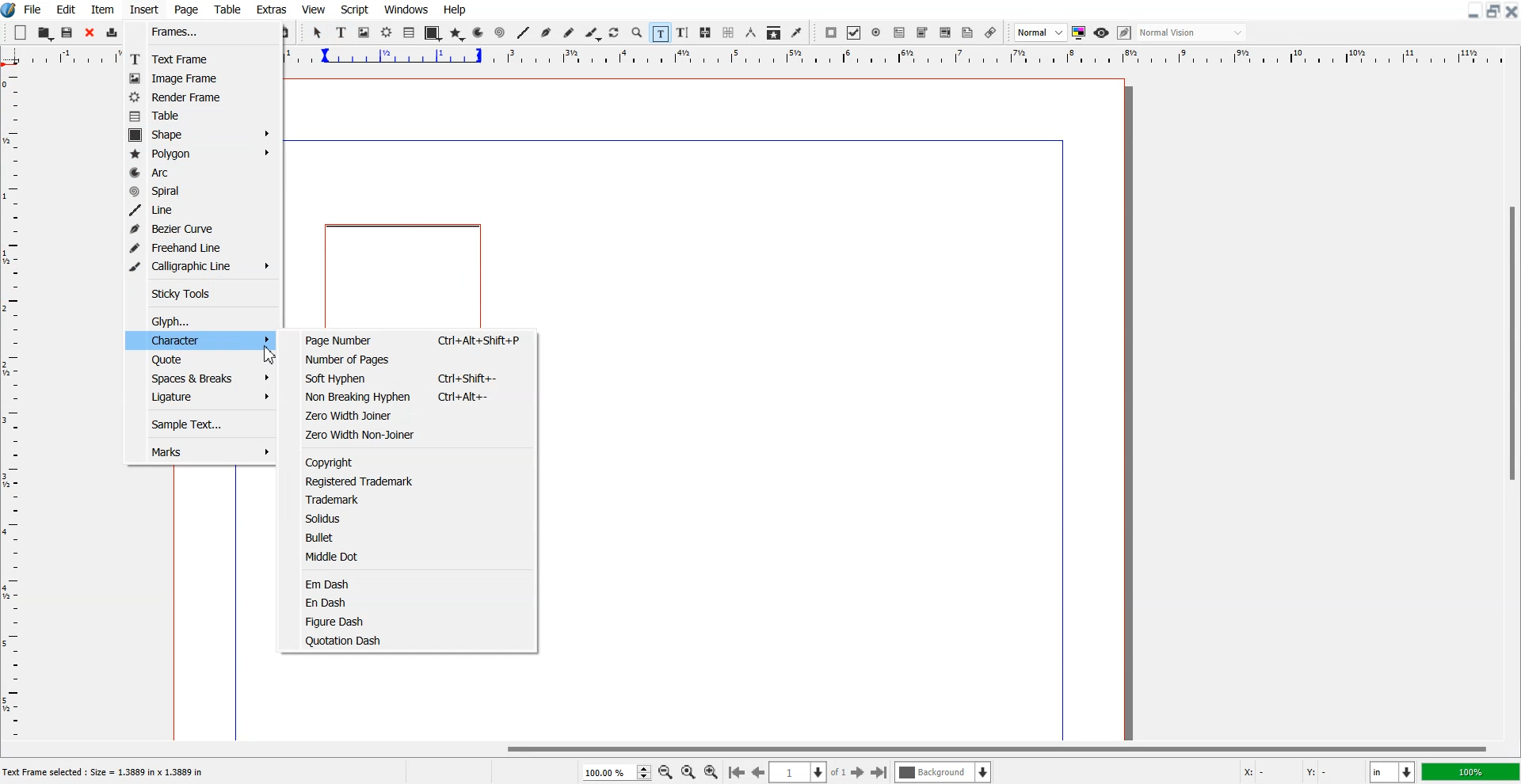 Image resolution: width=1521 pixels, height=784 pixels. What do you see at coordinates (387, 32) in the screenshot?
I see `Render frame` at bounding box center [387, 32].